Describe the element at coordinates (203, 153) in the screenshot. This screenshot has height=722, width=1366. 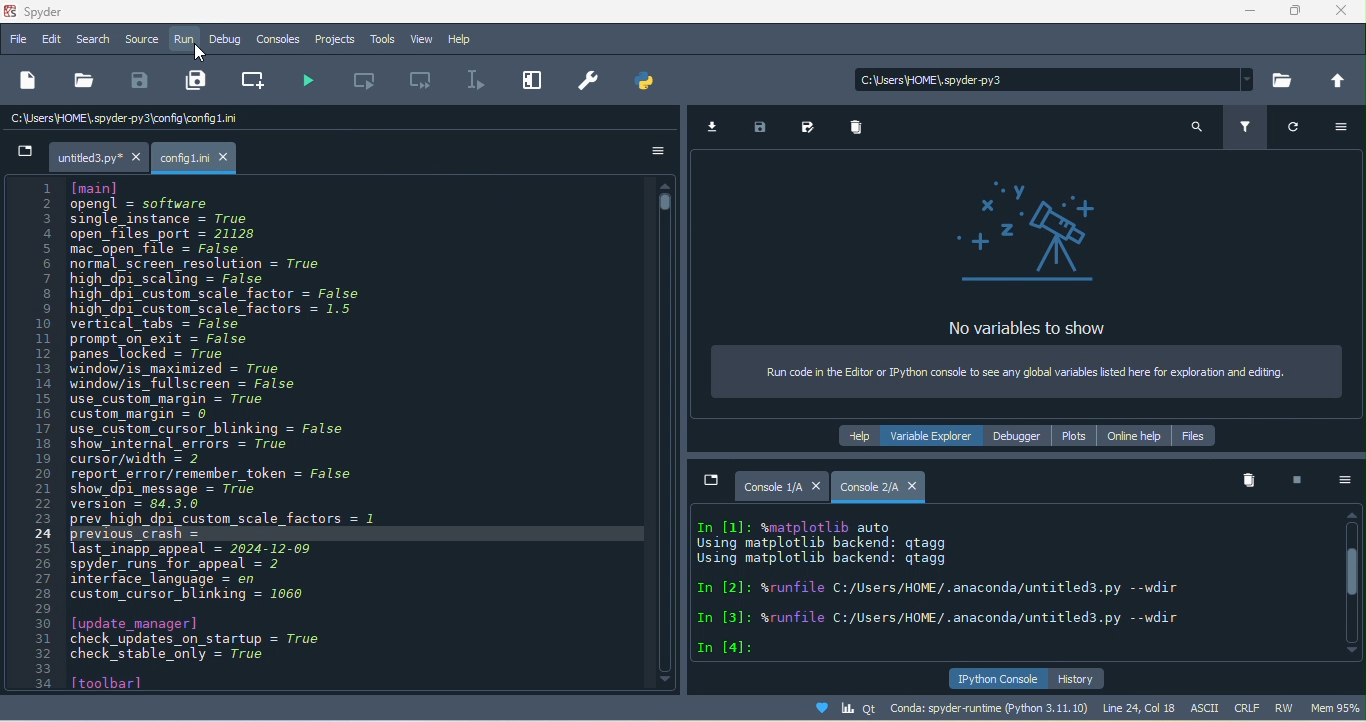
I see `config 1` at that location.